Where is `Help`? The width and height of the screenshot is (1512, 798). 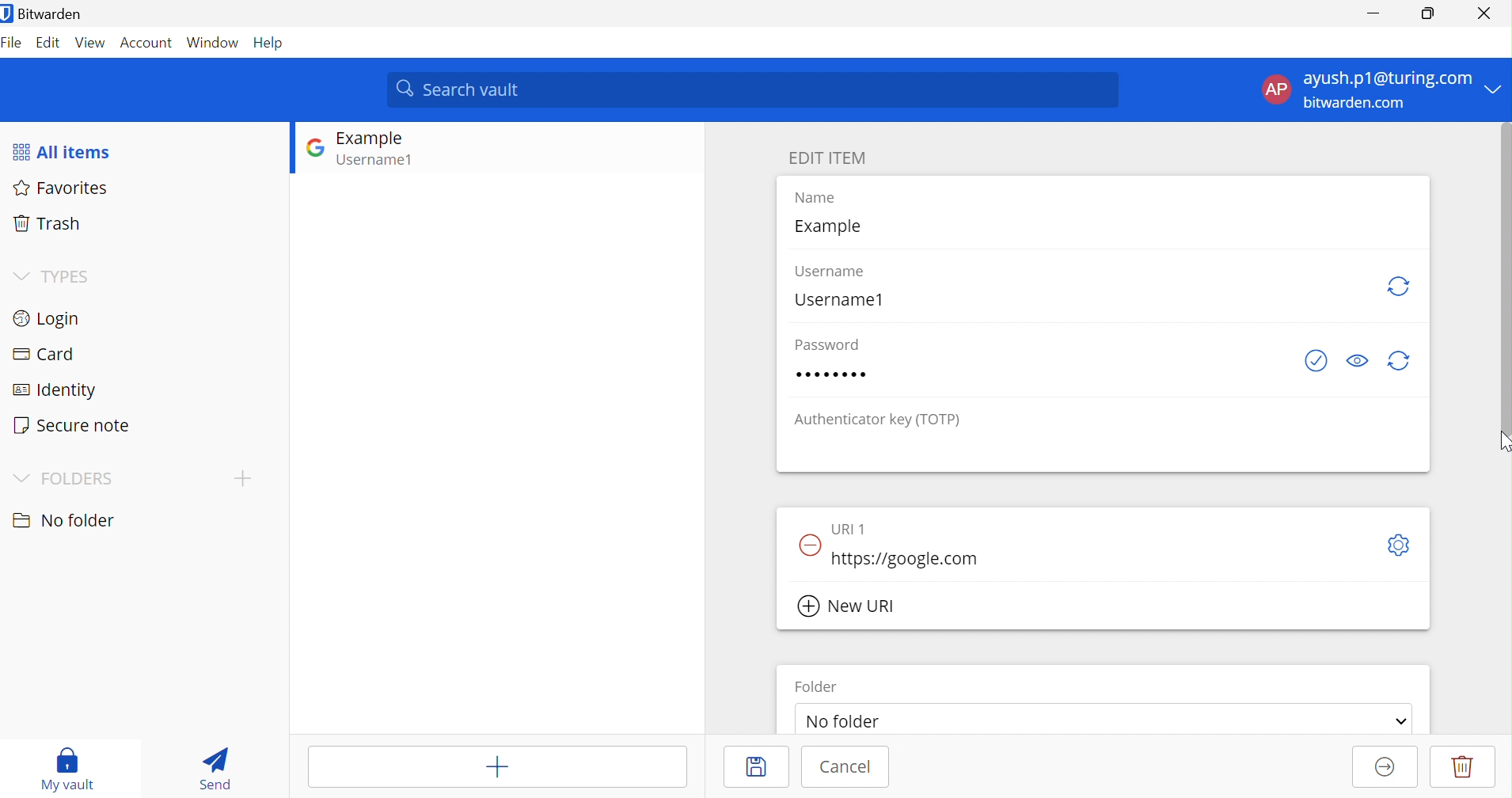
Help is located at coordinates (272, 43).